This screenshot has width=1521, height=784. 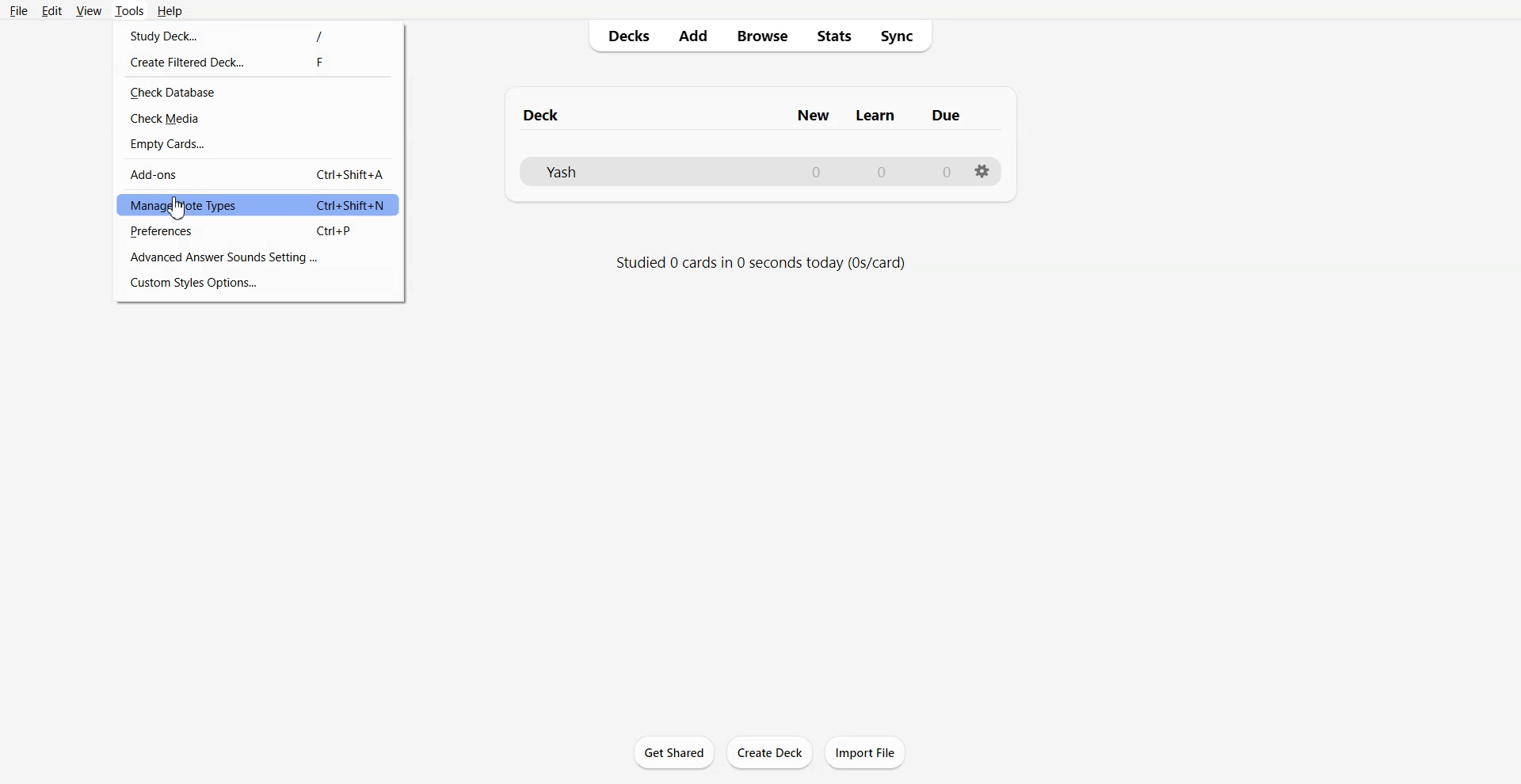 I want to click on Cursor, so click(x=176, y=208).